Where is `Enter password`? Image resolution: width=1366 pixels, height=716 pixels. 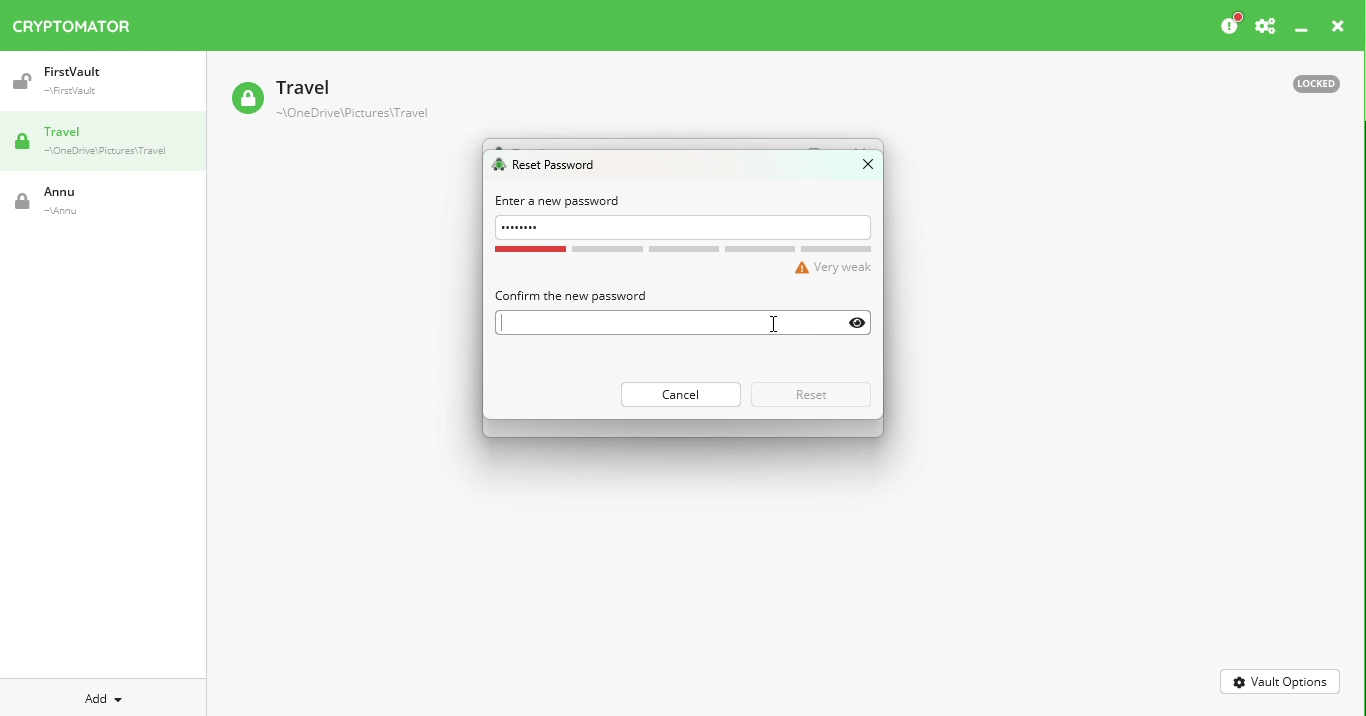 Enter password is located at coordinates (685, 228).